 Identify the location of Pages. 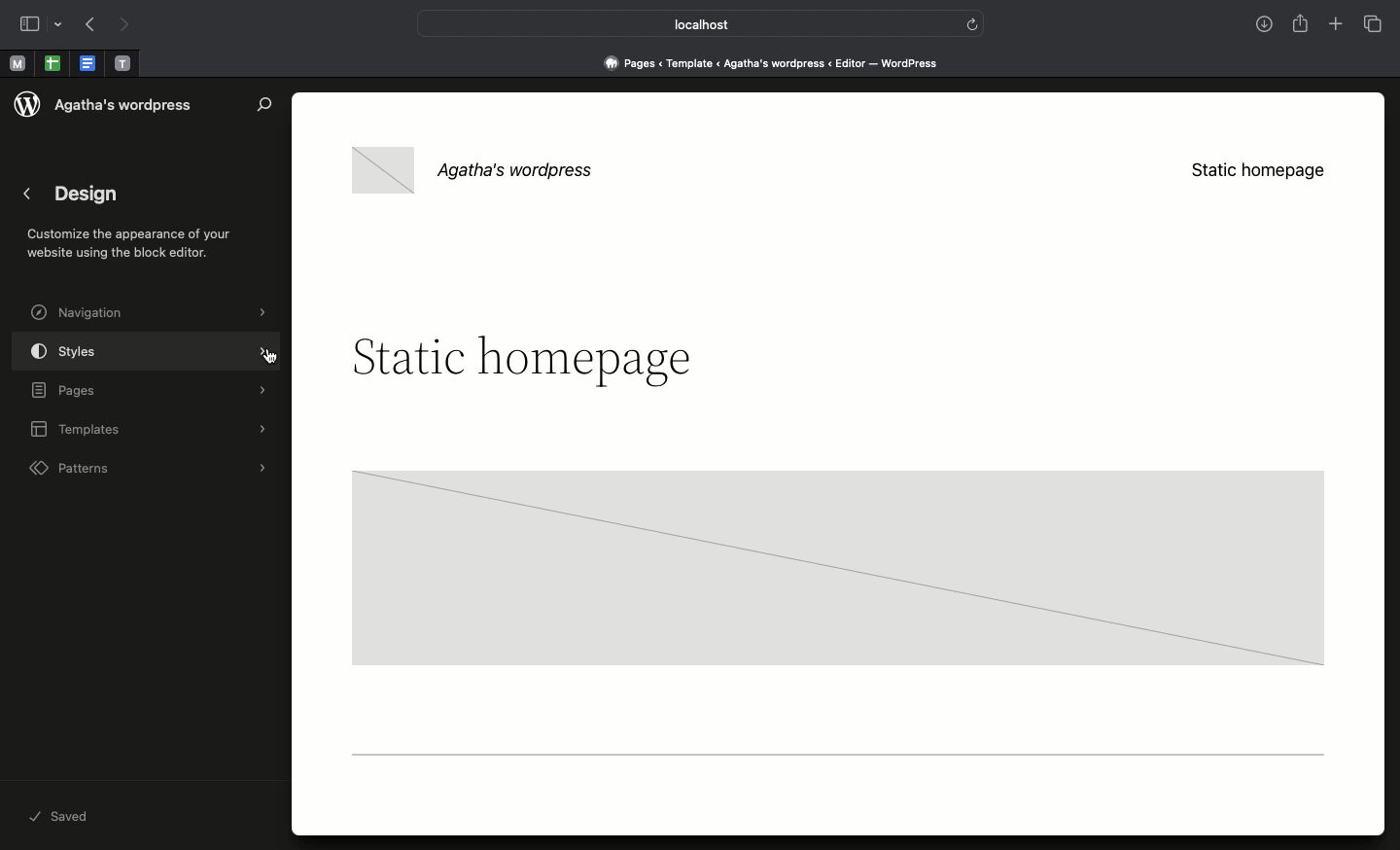
(154, 392).